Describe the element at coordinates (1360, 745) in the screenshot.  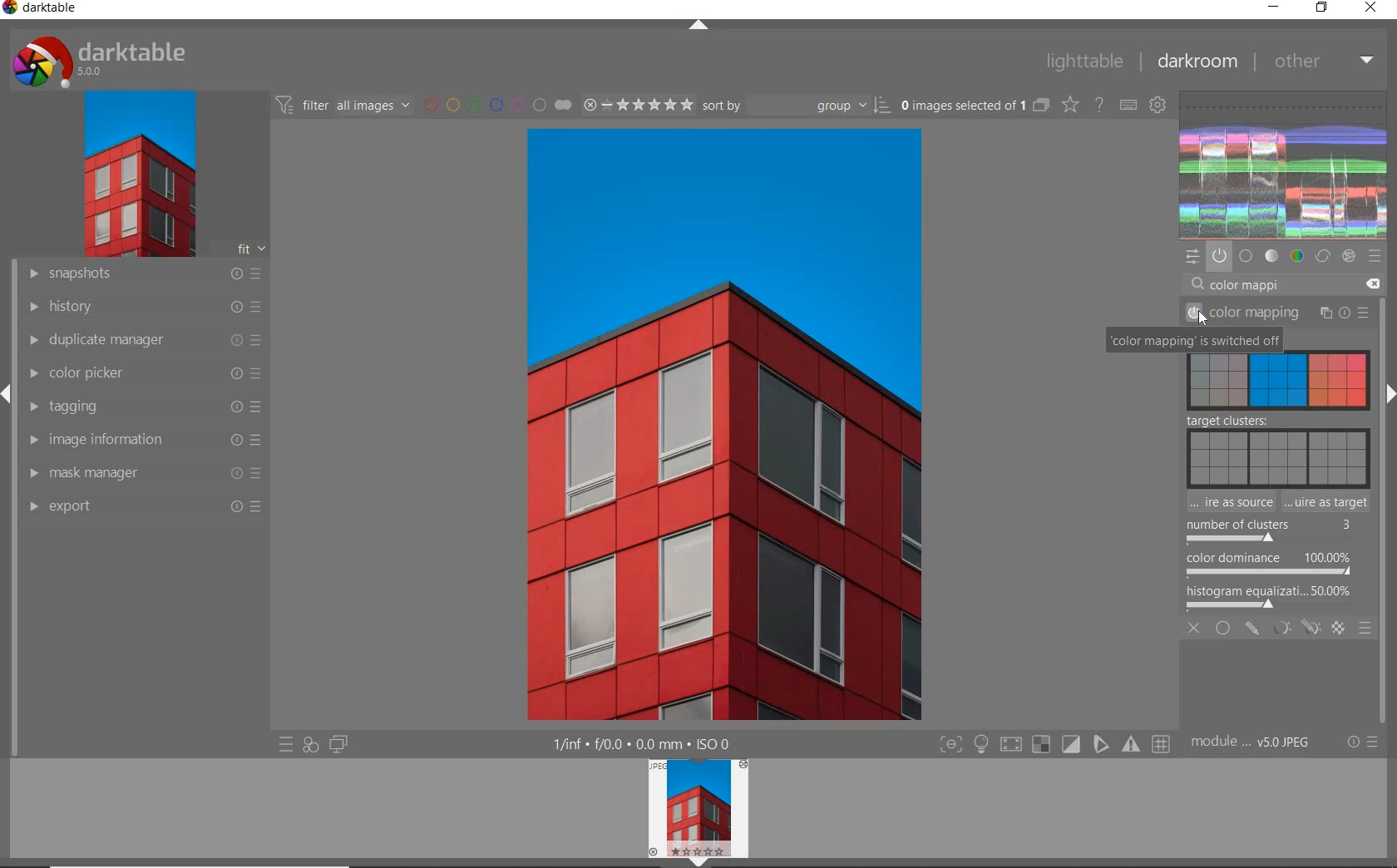
I see `reset or preset & preference` at that location.